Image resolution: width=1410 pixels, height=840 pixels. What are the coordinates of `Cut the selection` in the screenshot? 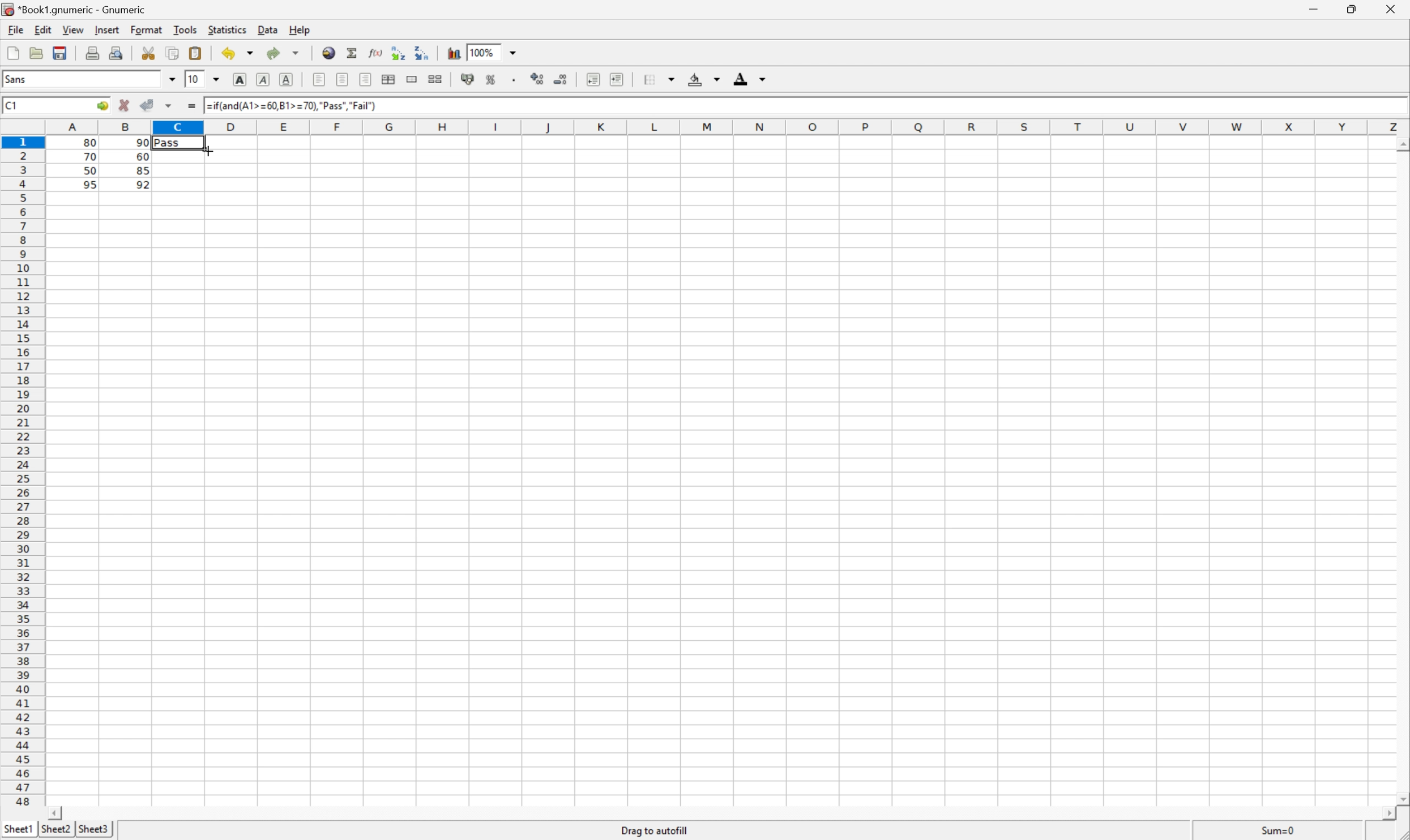 It's located at (149, 52).